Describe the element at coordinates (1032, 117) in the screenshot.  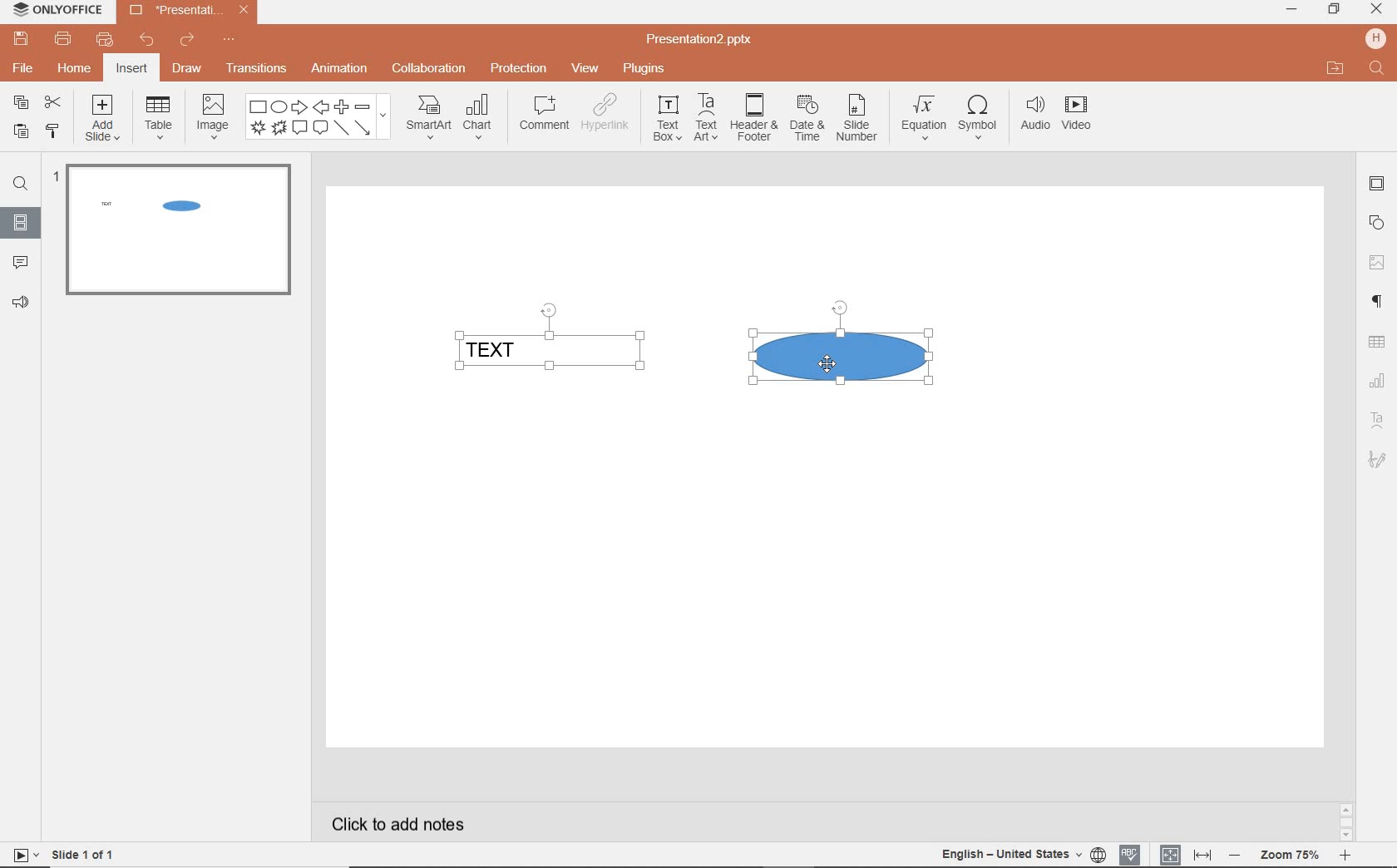
I see `audio` at that location.